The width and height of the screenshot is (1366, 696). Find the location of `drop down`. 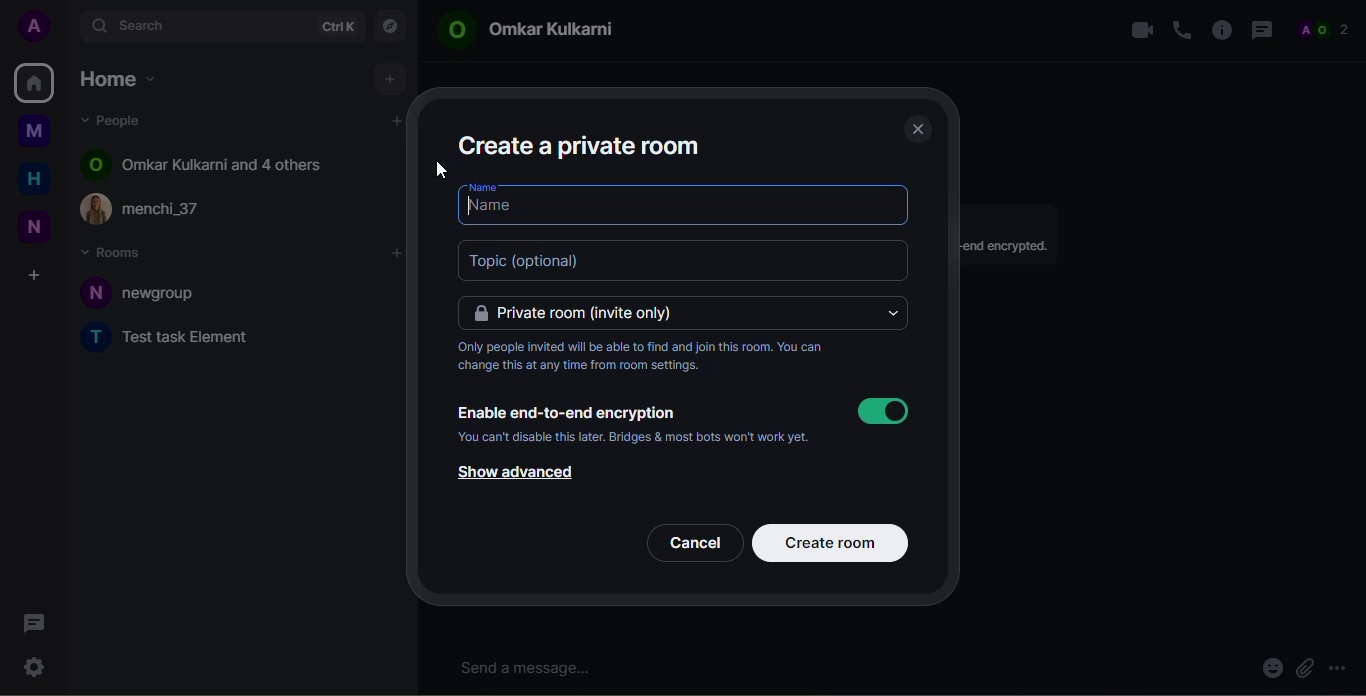

drop down is located at coordinates (891, 313).